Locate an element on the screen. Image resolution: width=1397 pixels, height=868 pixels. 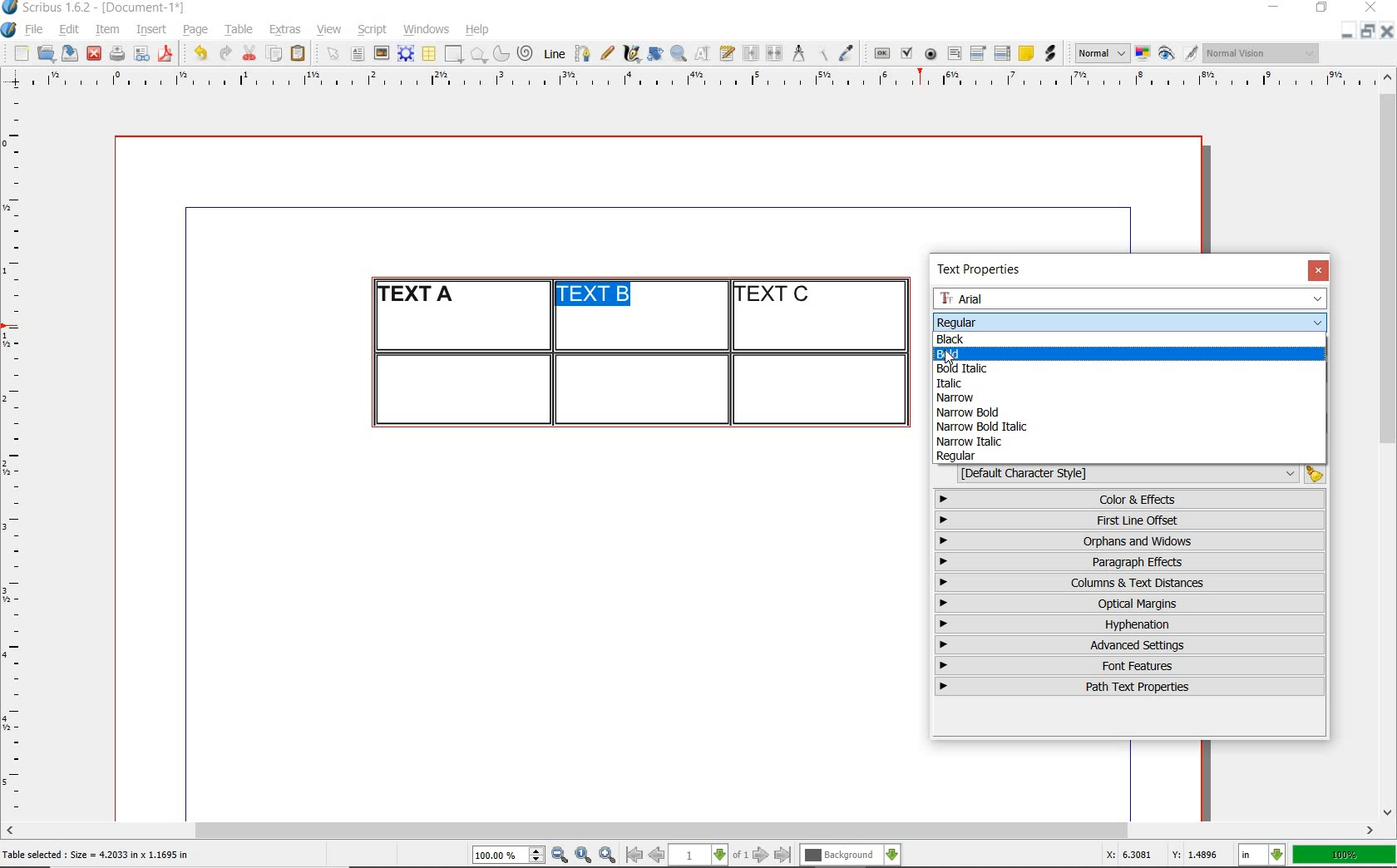
script is located at coordinates (372, 29).